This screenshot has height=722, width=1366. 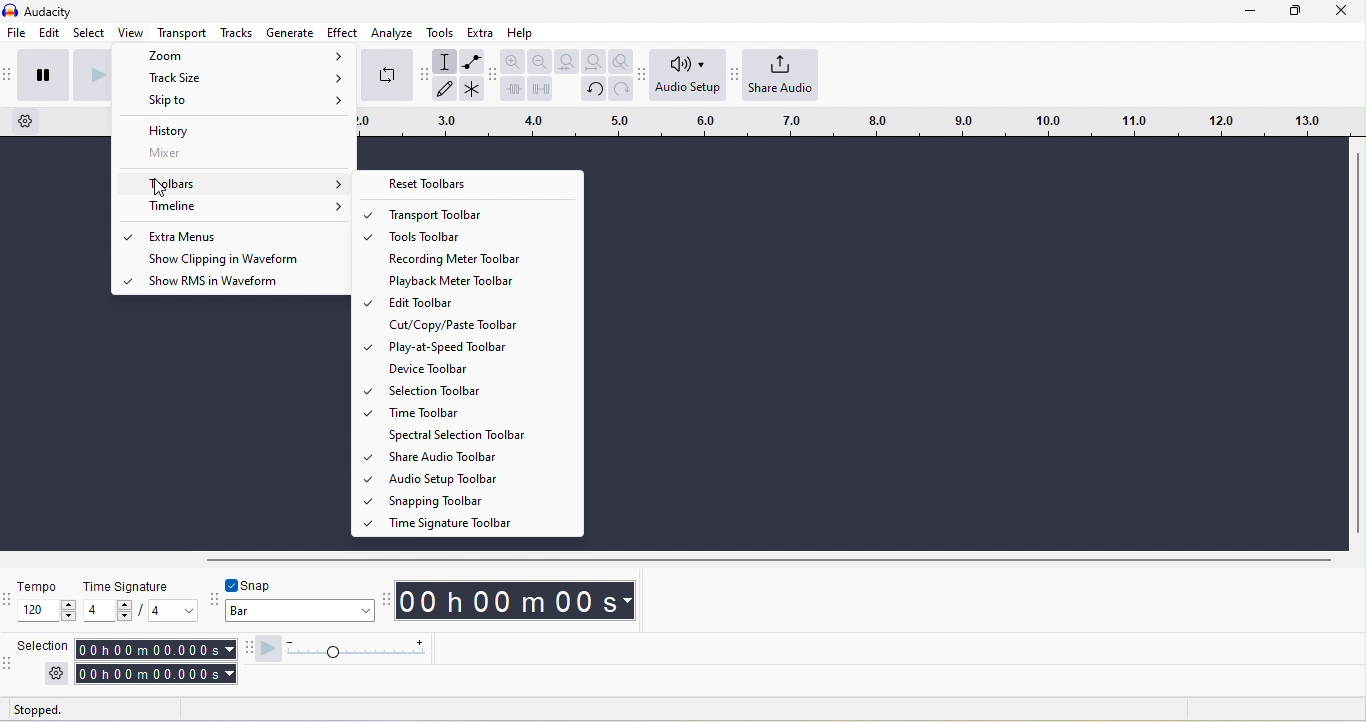 I want to click on Play at speed toolbar, so click(x=478, y=347).